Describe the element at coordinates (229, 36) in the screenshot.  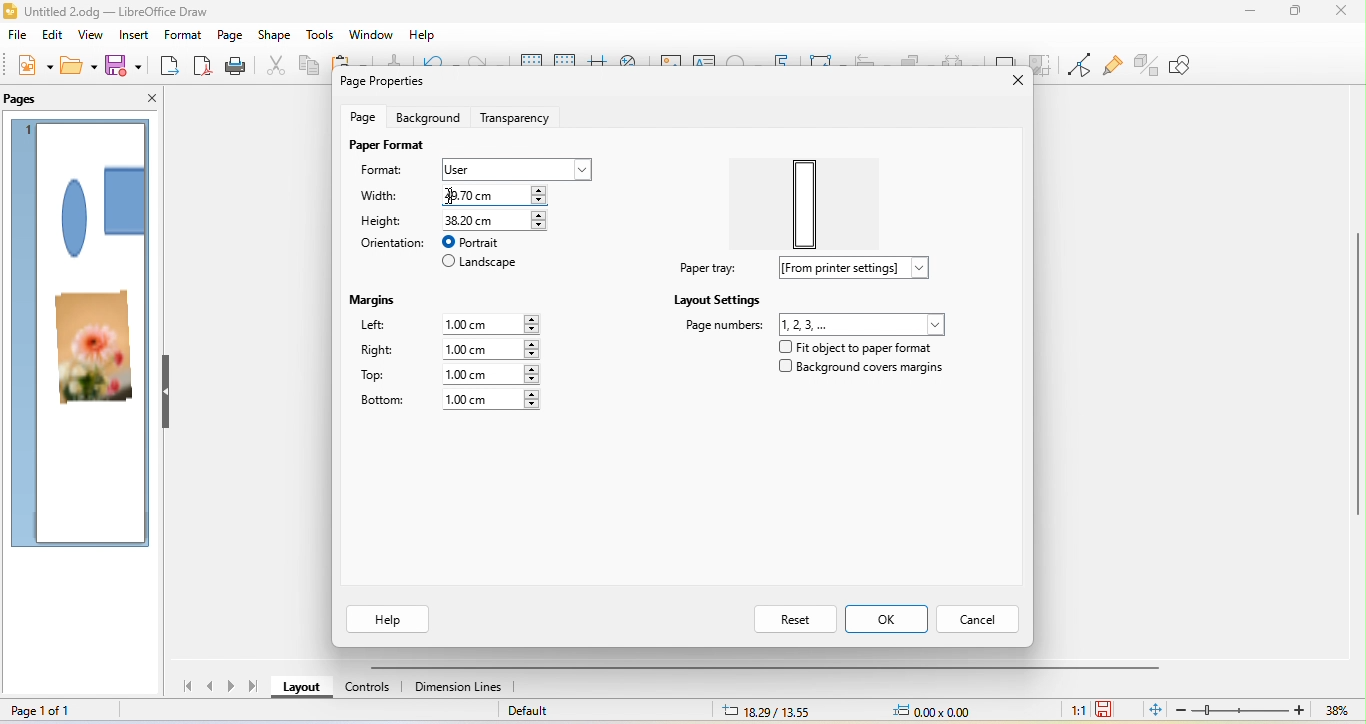
I see `page` at that location.